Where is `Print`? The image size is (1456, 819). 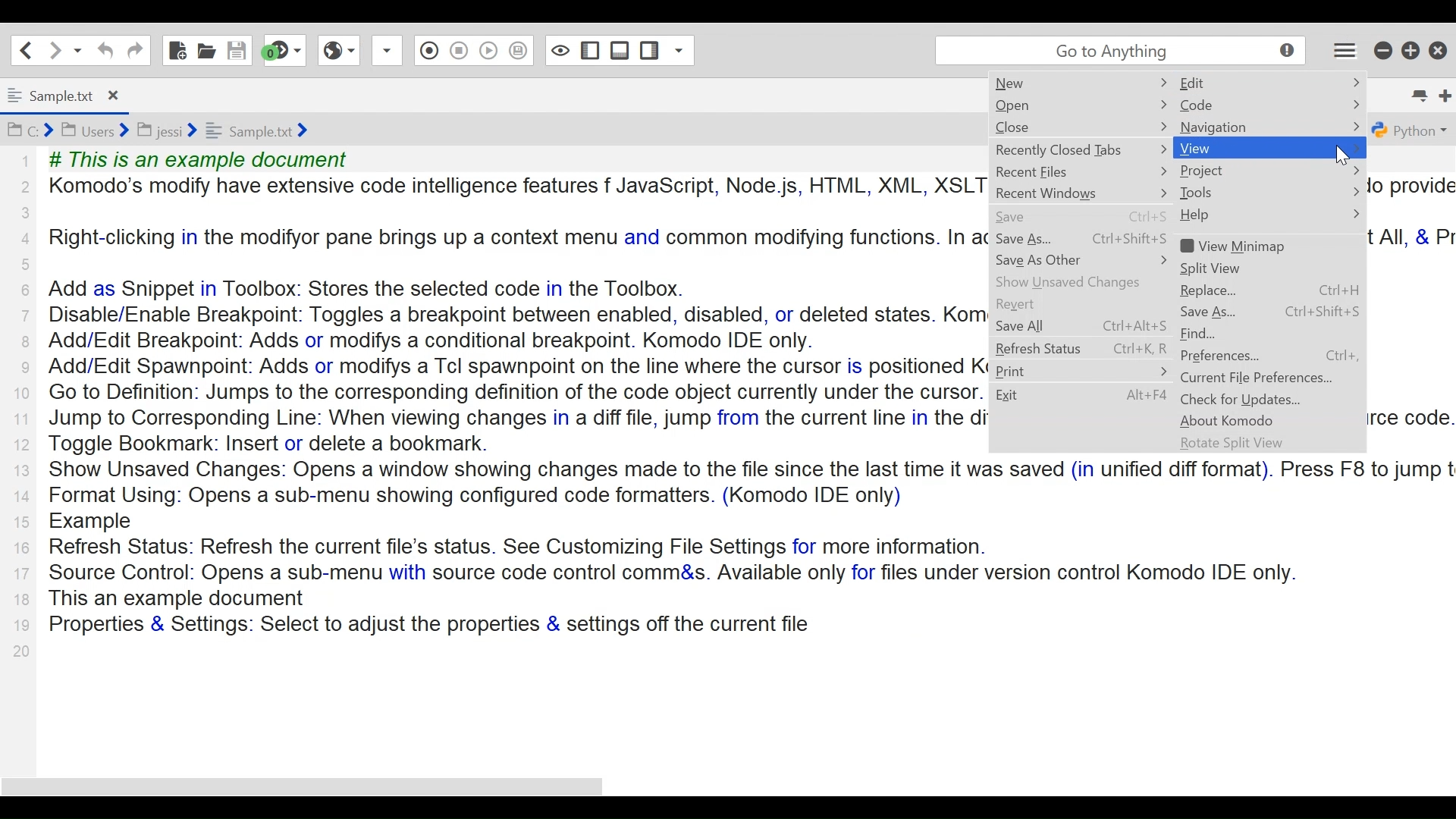 Print is located at coordinates (1044, 372).